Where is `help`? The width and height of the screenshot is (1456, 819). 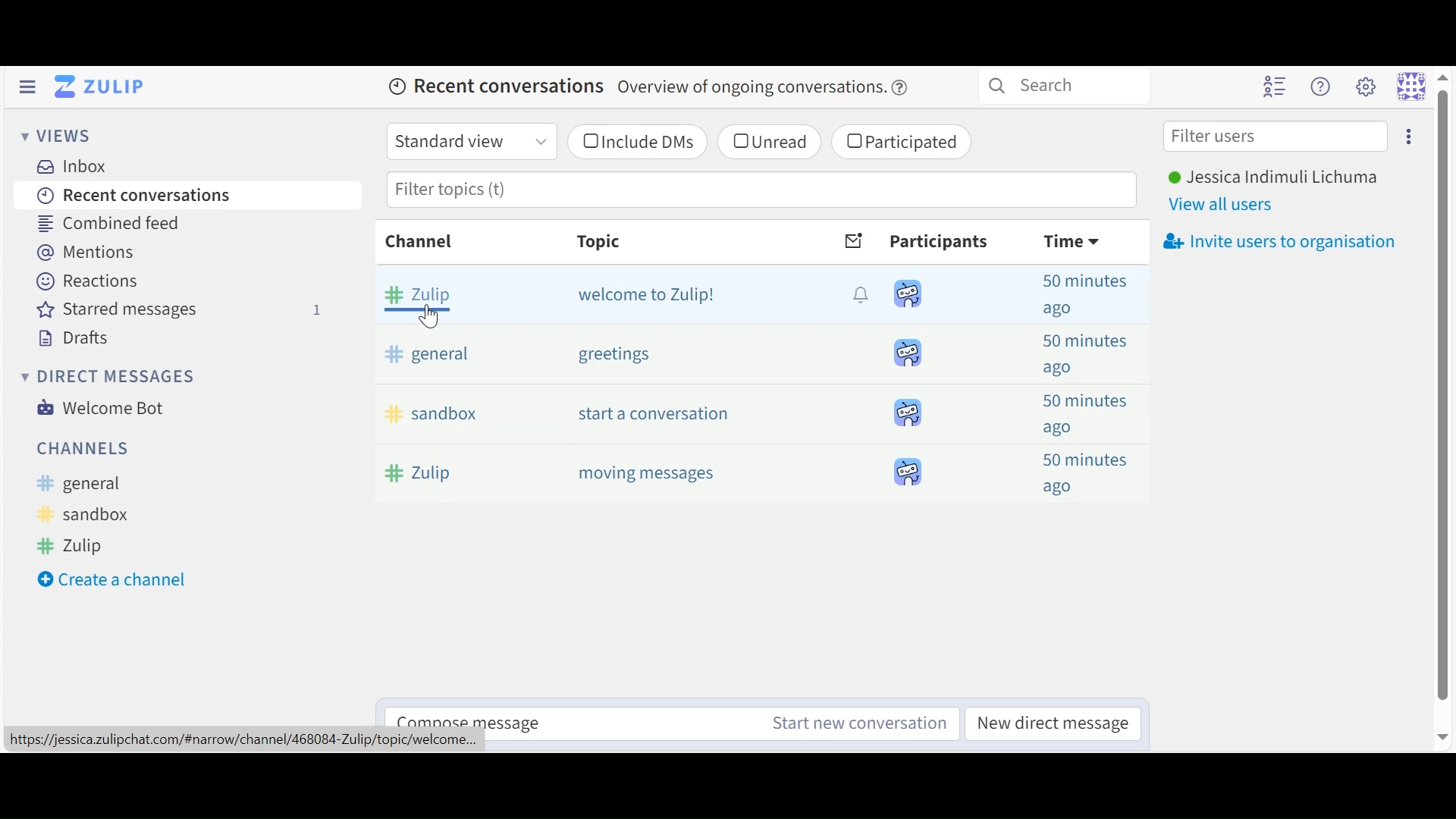
help is located at coordinates (905, 88).